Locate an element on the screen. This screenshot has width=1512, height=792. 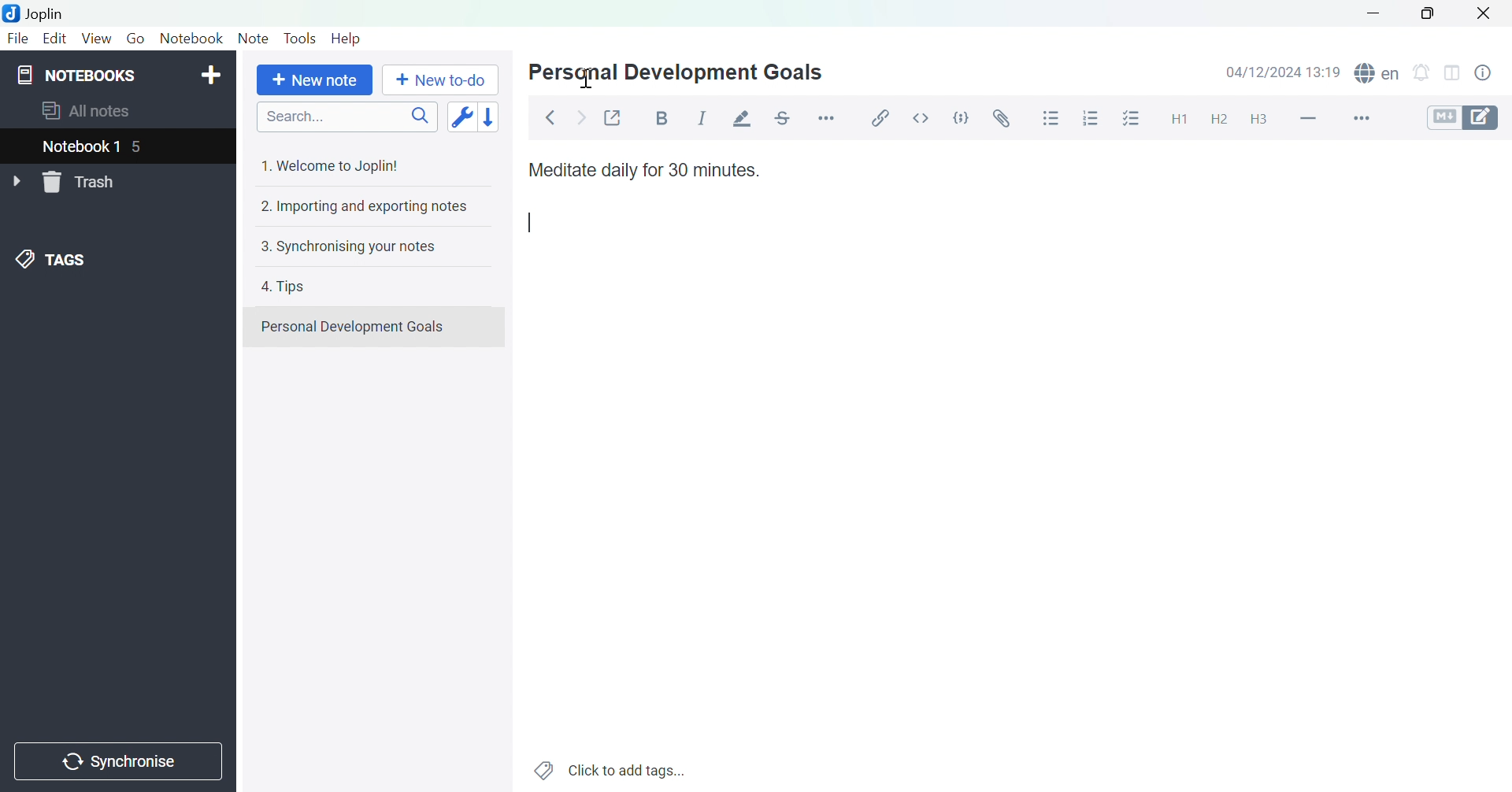
Tools is located at coordinates (302, 37).